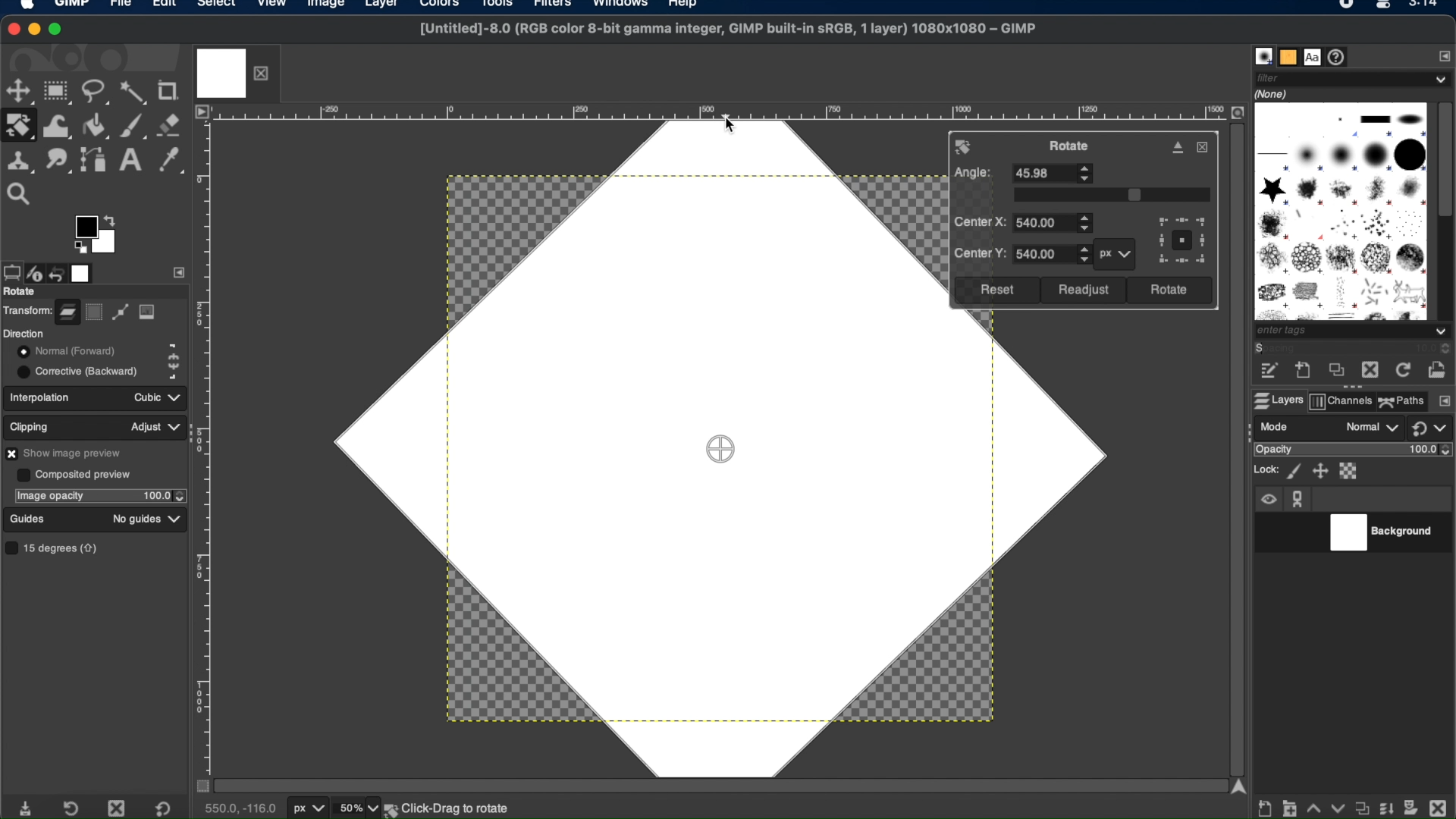 This screenshot has height=819, width=1456. What do you see at coordinates (1238, 786) in the screenshot?
I see `scroll up arrow` at bounding box center [1238, 786].